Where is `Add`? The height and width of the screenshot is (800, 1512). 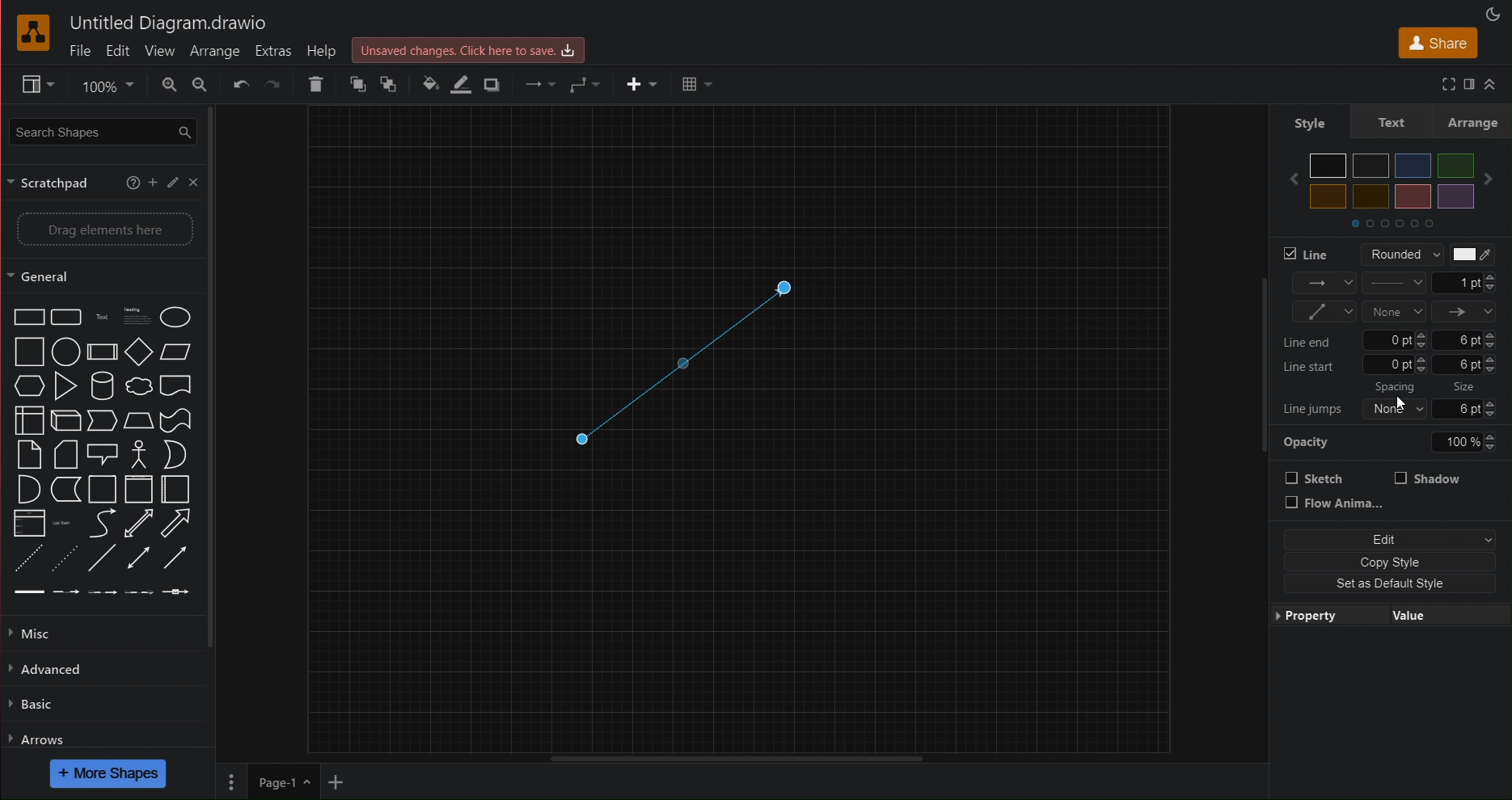 Add is located at coordinates (153, 181).